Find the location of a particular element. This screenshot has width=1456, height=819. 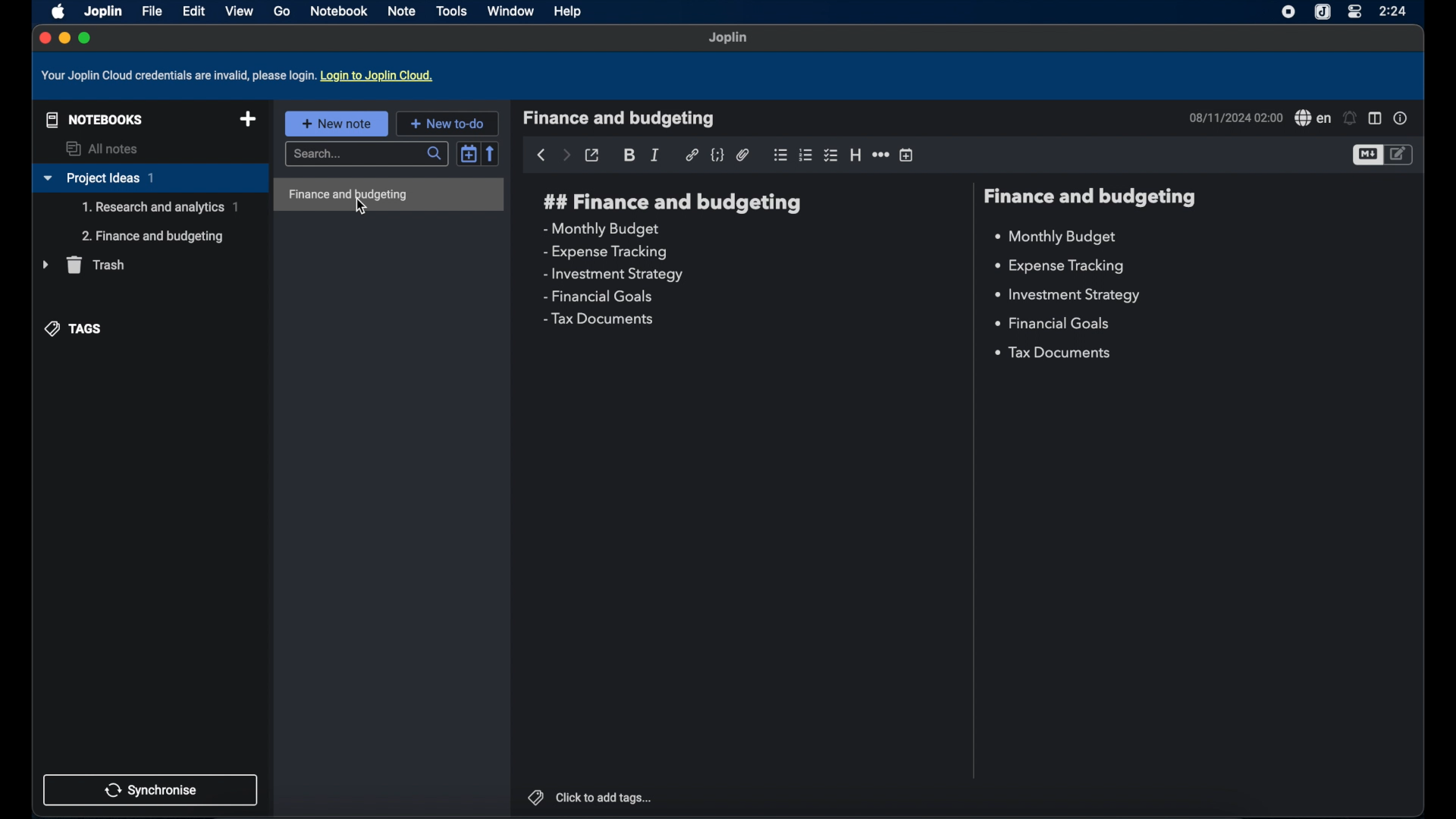

new to-do is located at coordinates (447, 123).